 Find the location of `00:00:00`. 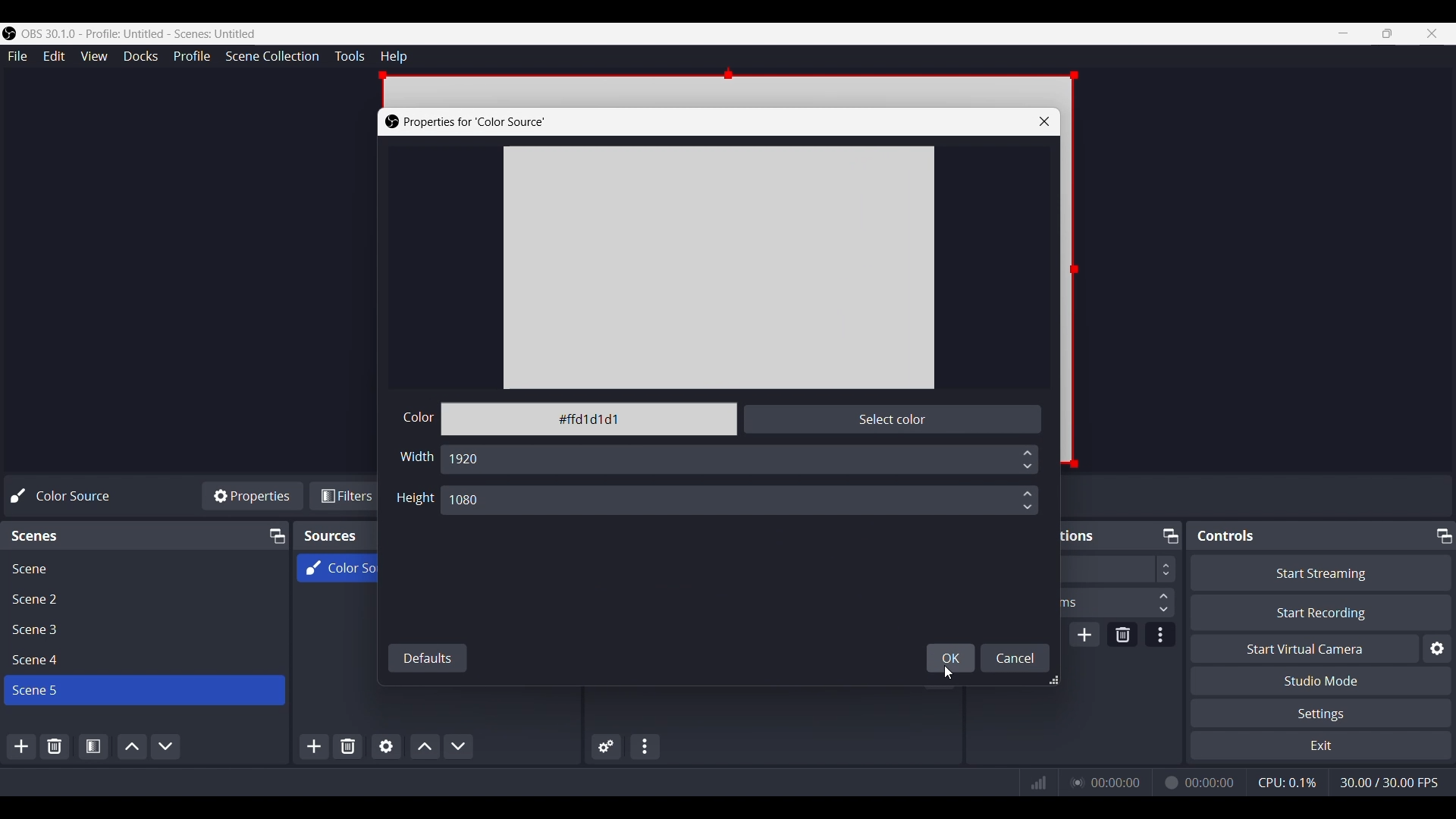

00:00:00 is located at coordinates (1117, 782).